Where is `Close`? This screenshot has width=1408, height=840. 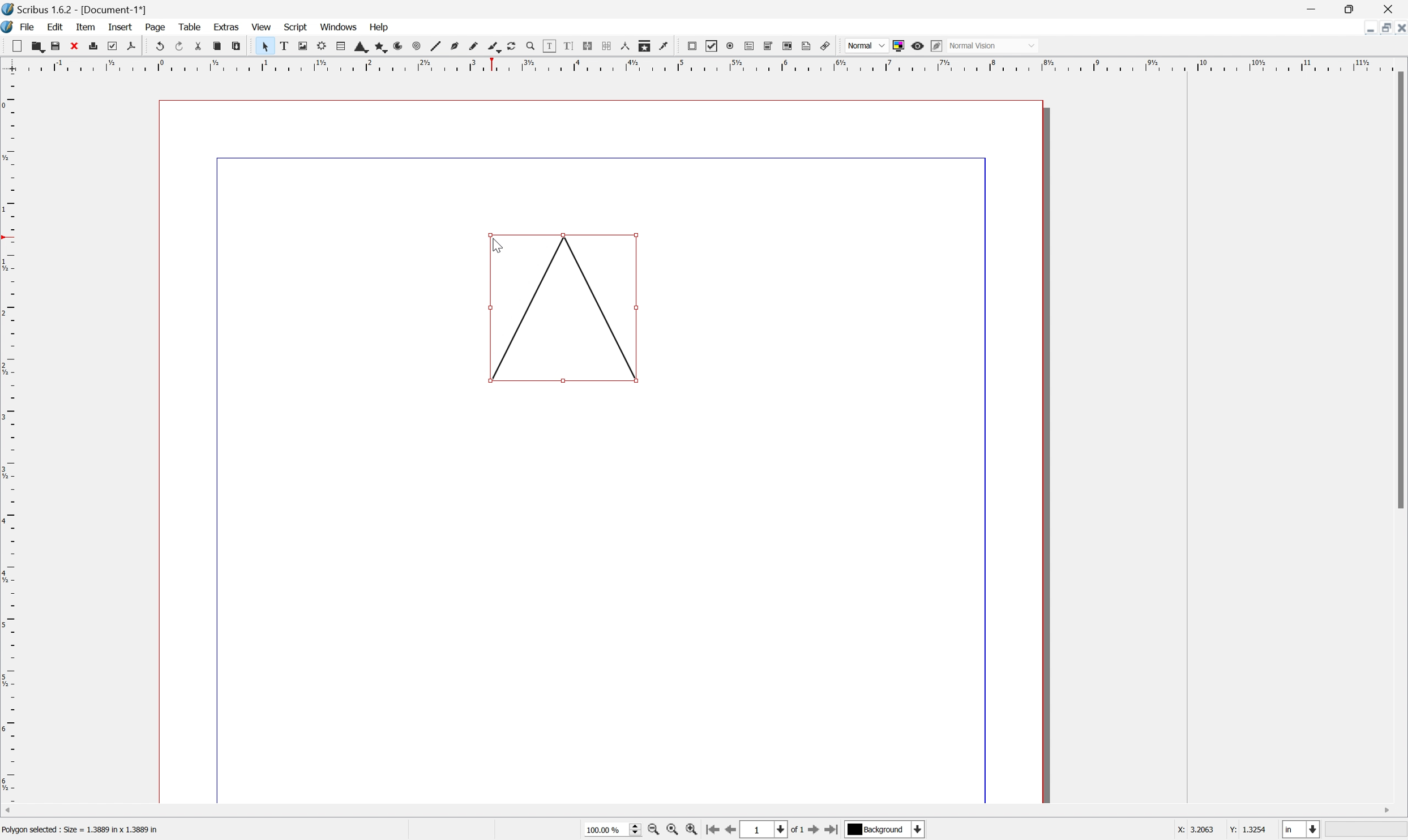
Close is located at coordinates (1388, 10).